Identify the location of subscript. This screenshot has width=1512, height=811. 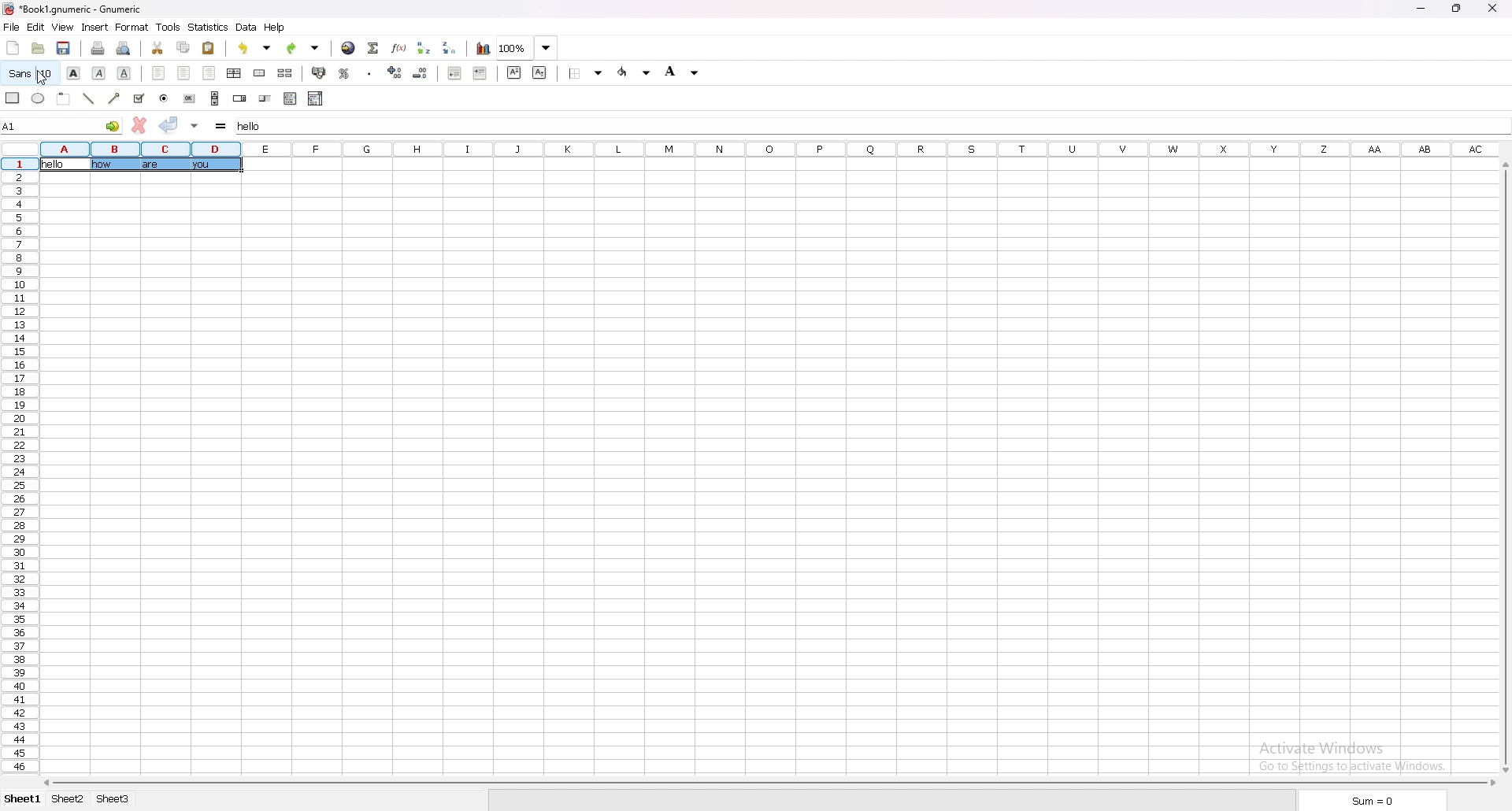
(539, 72).